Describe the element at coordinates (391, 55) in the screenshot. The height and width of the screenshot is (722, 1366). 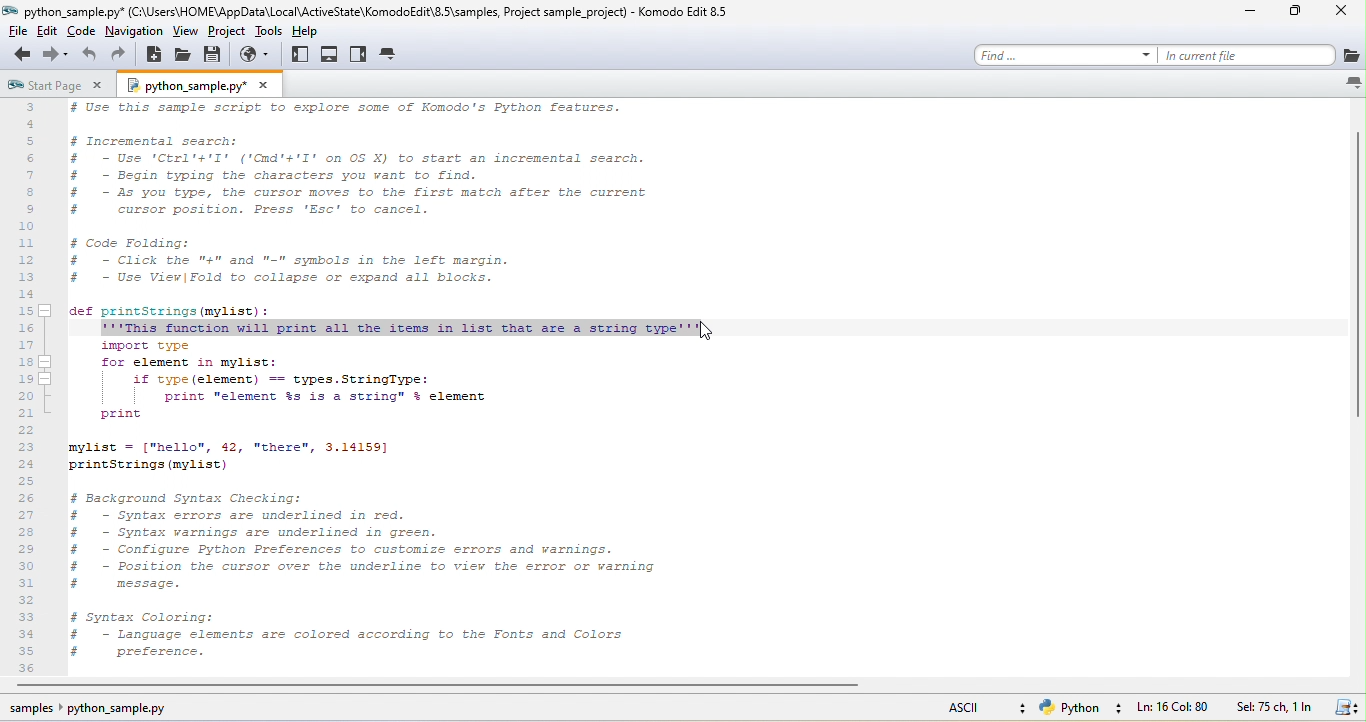
I see `tab` at that location.